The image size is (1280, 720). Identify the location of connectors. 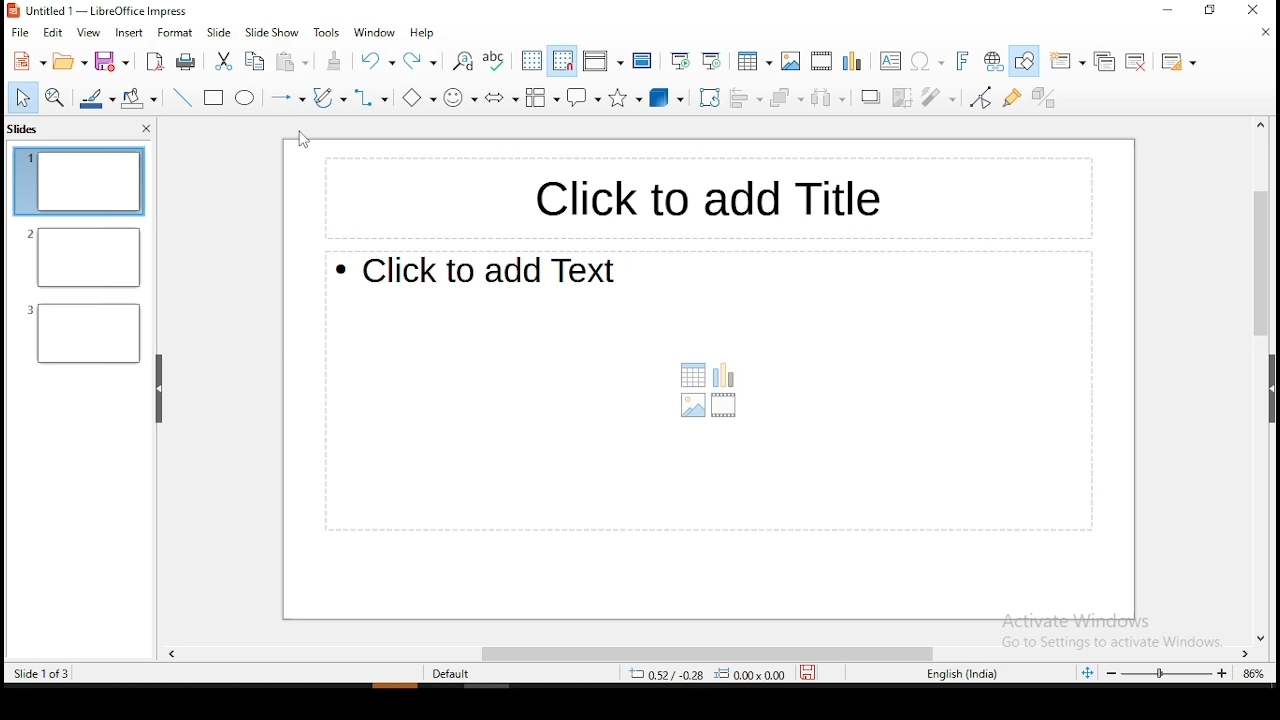
(370, 99).